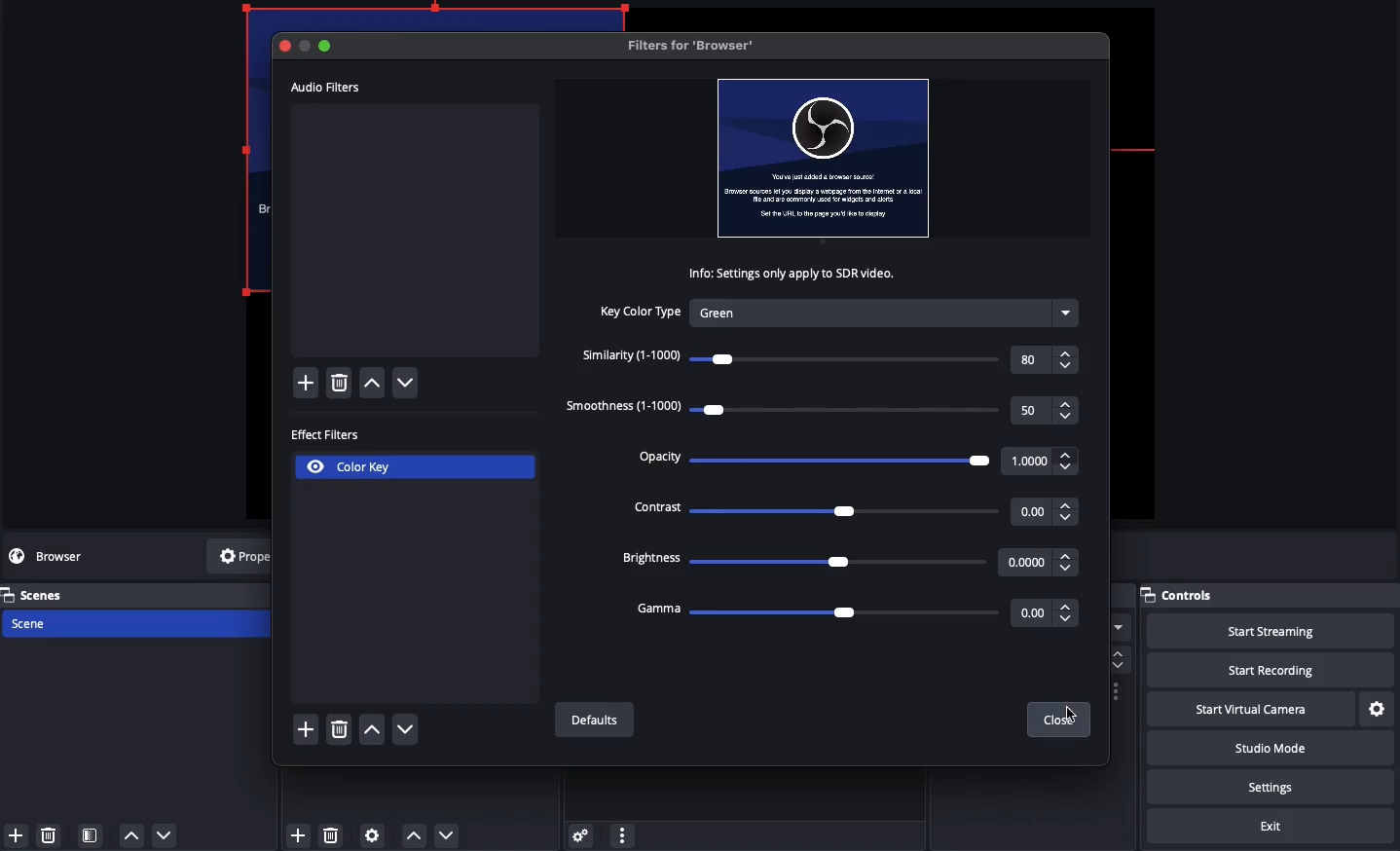  Describe the element at coordinates (338, 725) in the screenshot. I see `delete` at that location.